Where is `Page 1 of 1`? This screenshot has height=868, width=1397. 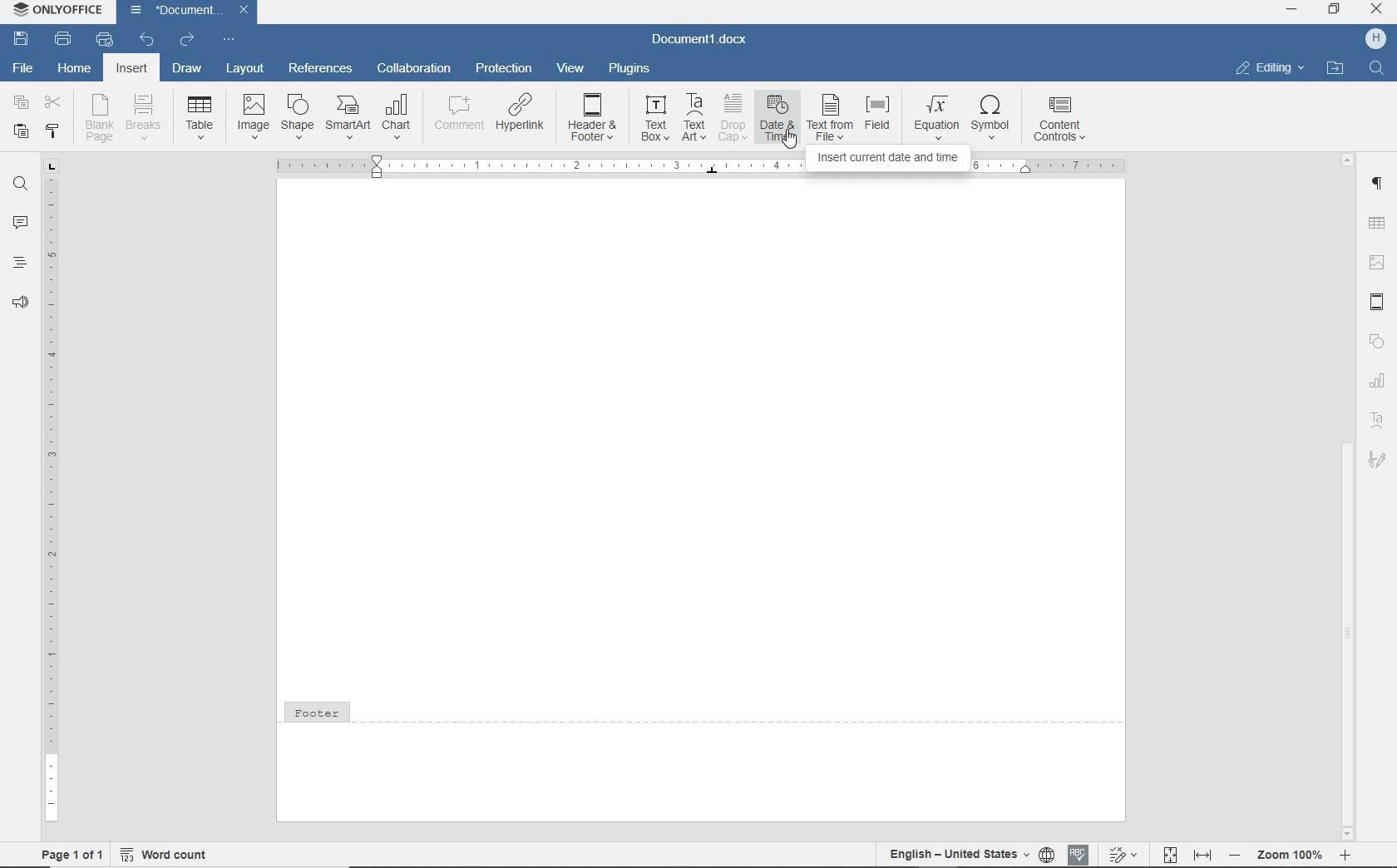
Page 1 of 1 is located at coordinates (66, 854).